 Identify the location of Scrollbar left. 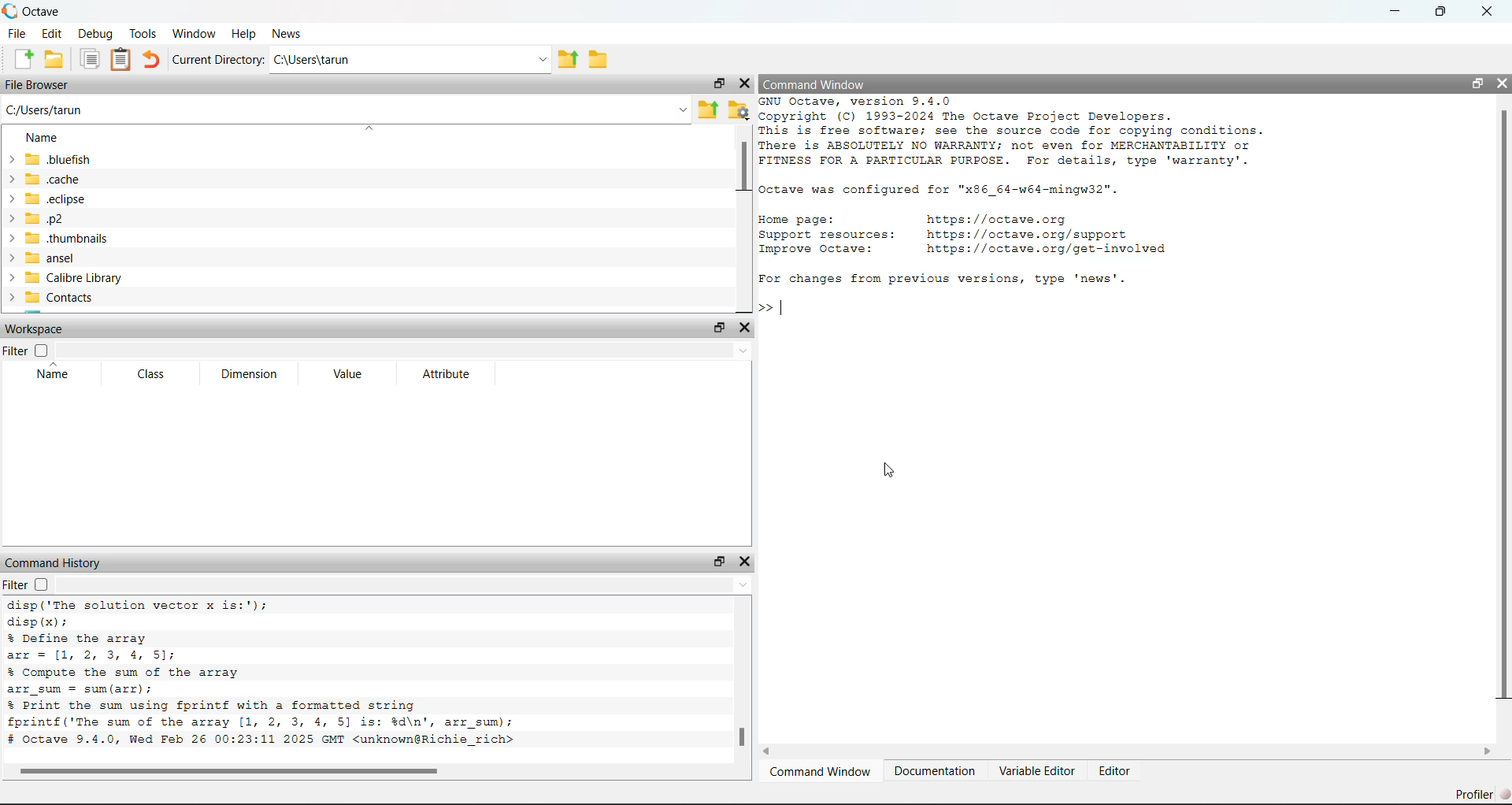
(774, 752).